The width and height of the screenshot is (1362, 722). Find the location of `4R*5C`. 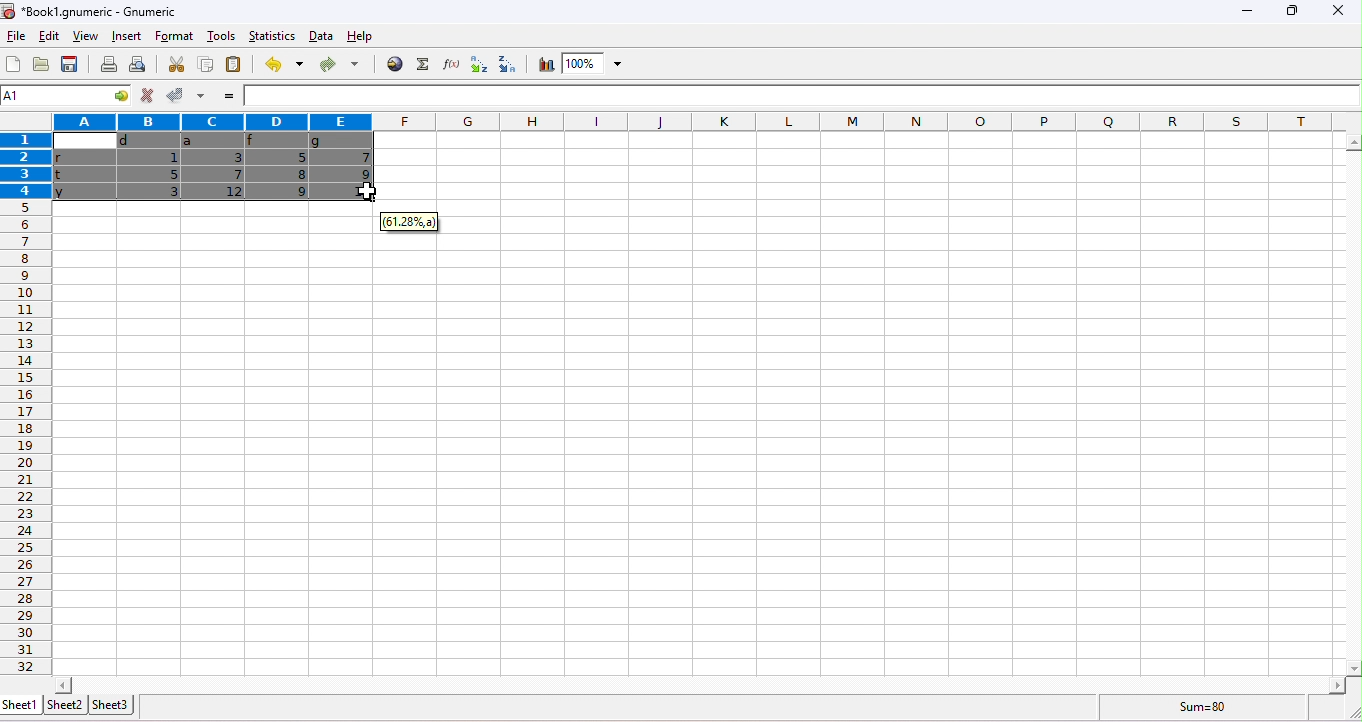

4R*5C is located at coordinates (52, 96).